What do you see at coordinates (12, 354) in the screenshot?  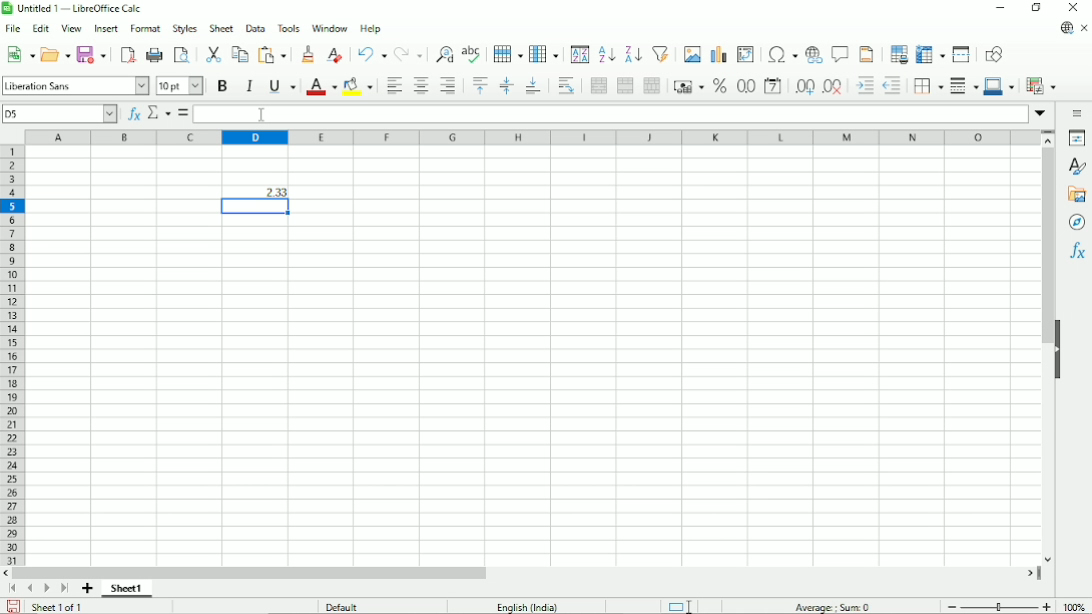 I see `Row headings` at bounding box center [12, 354].